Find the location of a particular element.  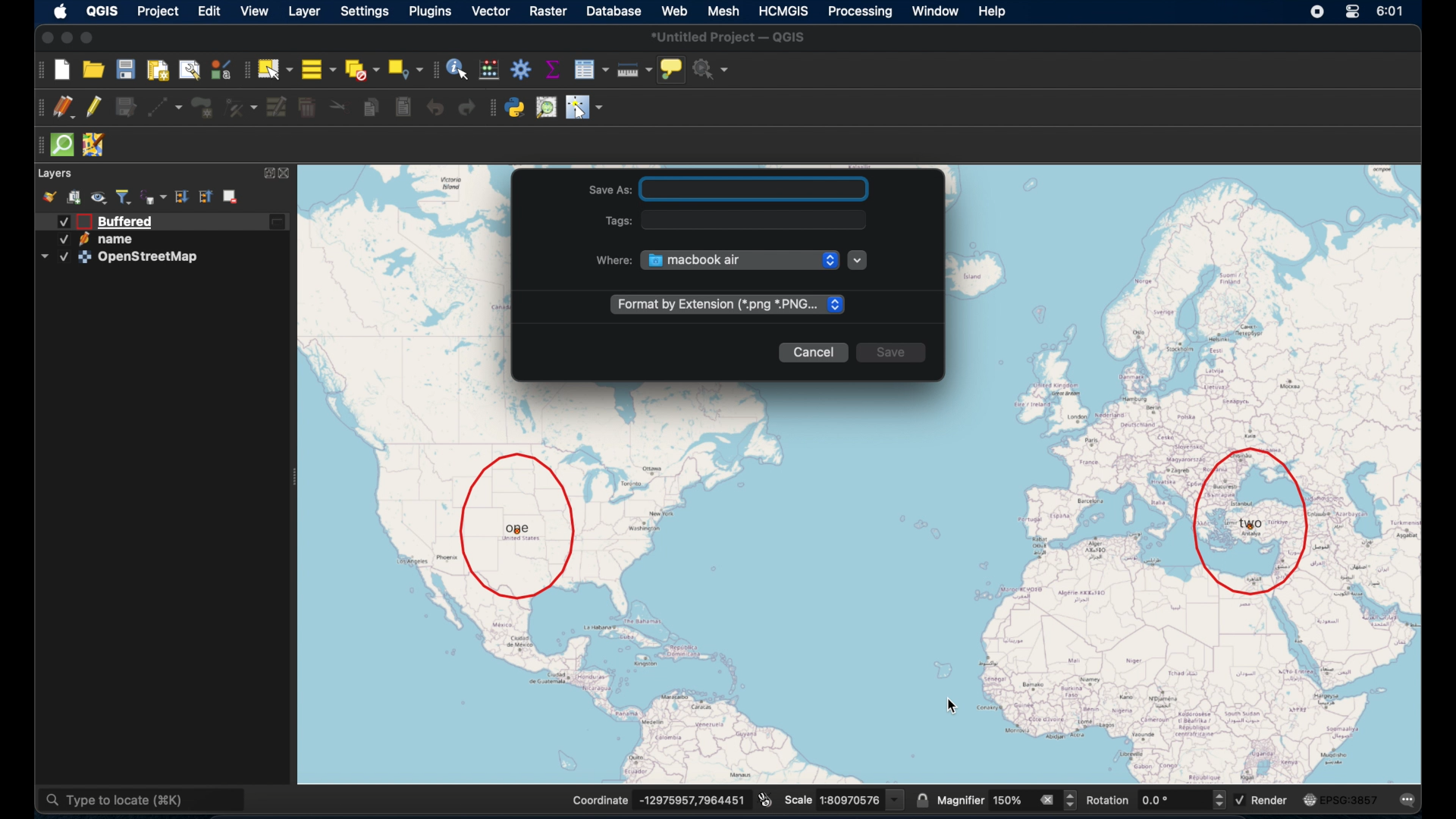

Checked checkbox is located at coordinates (64, 221).